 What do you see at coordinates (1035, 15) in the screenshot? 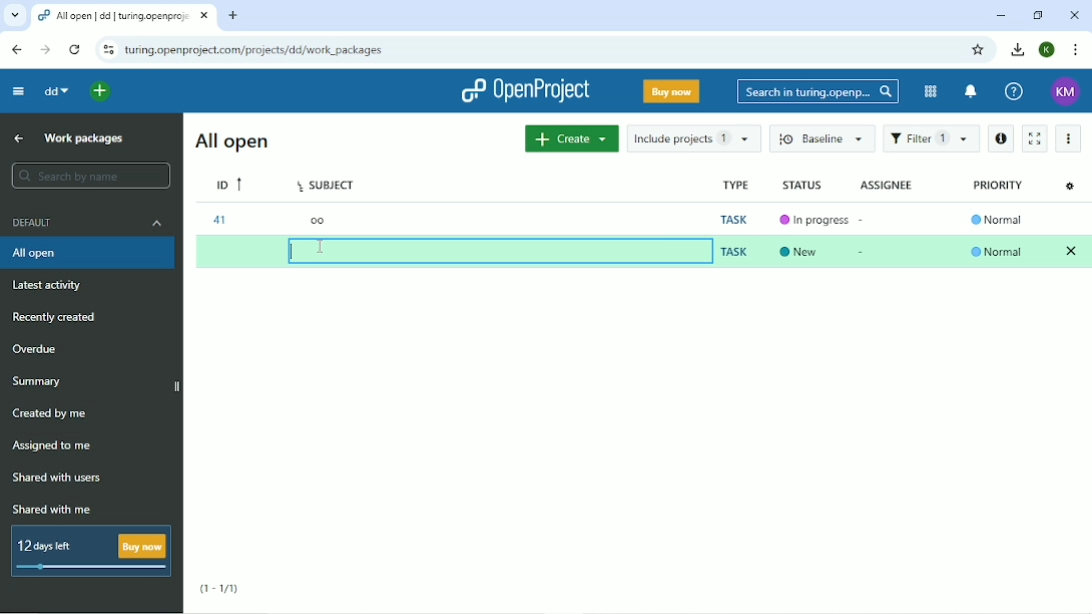
I see `Restore down` at bounding box center [1035, 15].